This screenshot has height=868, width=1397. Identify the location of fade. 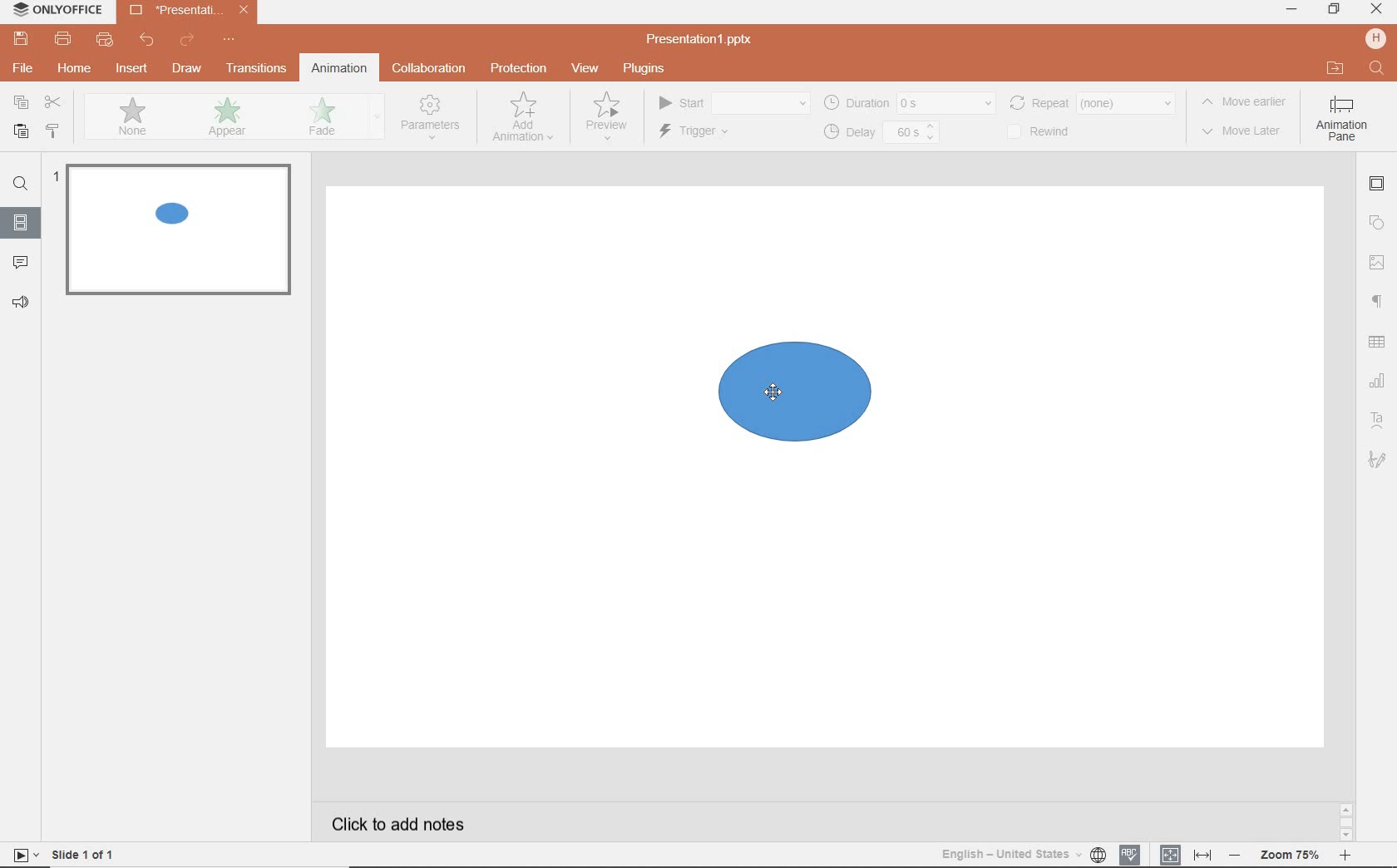
(331, 118).